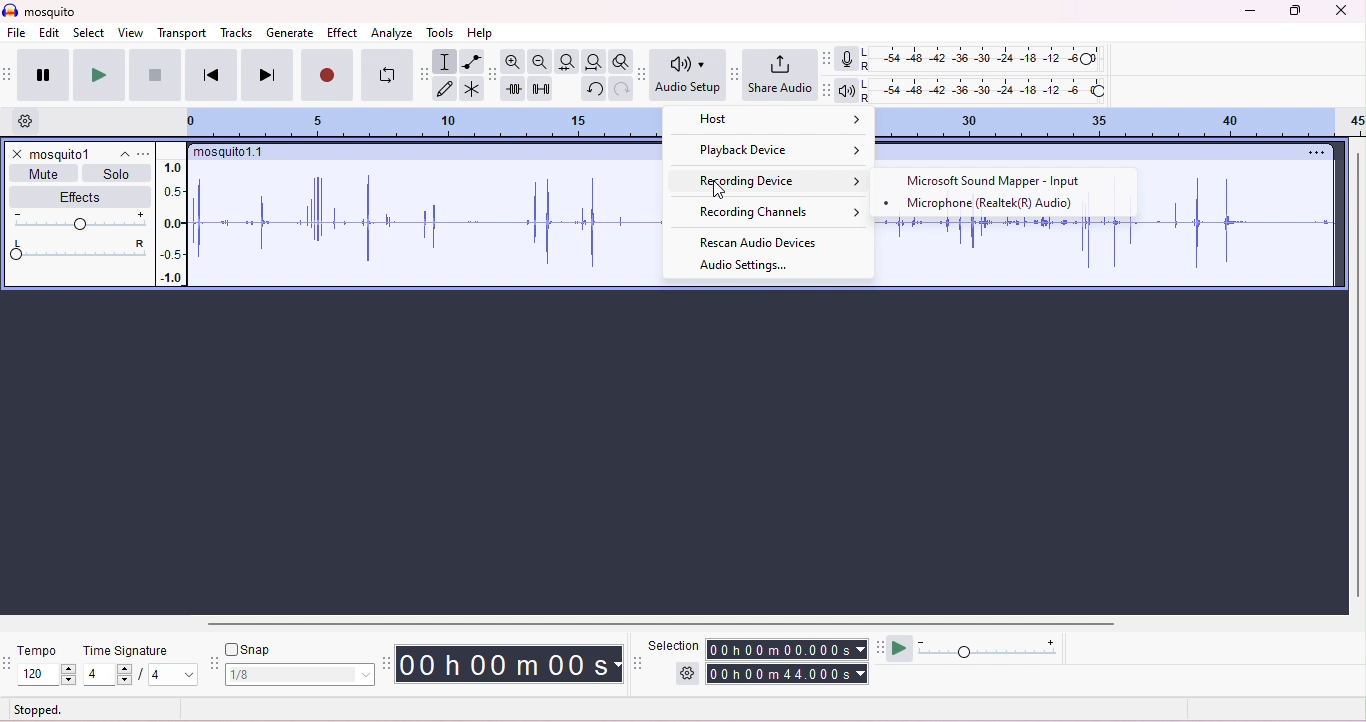 This screenshot has height=722, width=1366. What do you see at coordinates (639, 663) in the screenshot?
I see `selection tool bar` at bounding box center [639, 663].